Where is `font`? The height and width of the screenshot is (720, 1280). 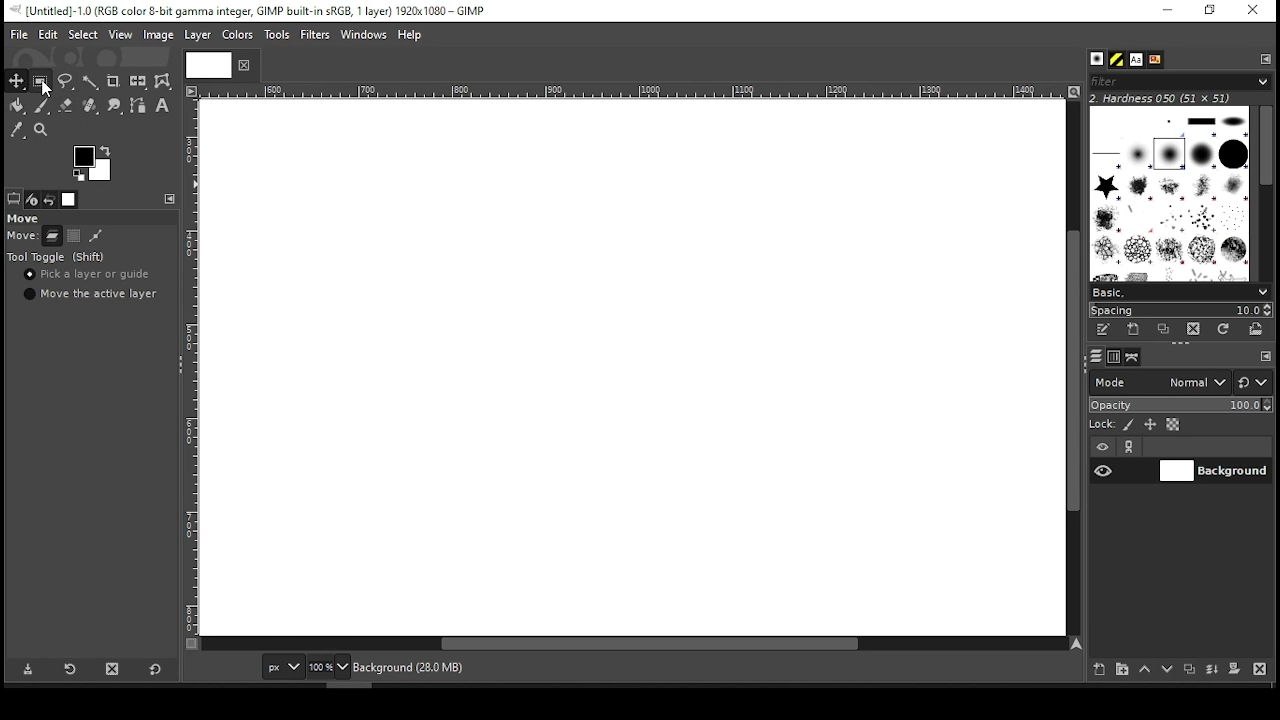
font is located at coordinates (1135, 60).